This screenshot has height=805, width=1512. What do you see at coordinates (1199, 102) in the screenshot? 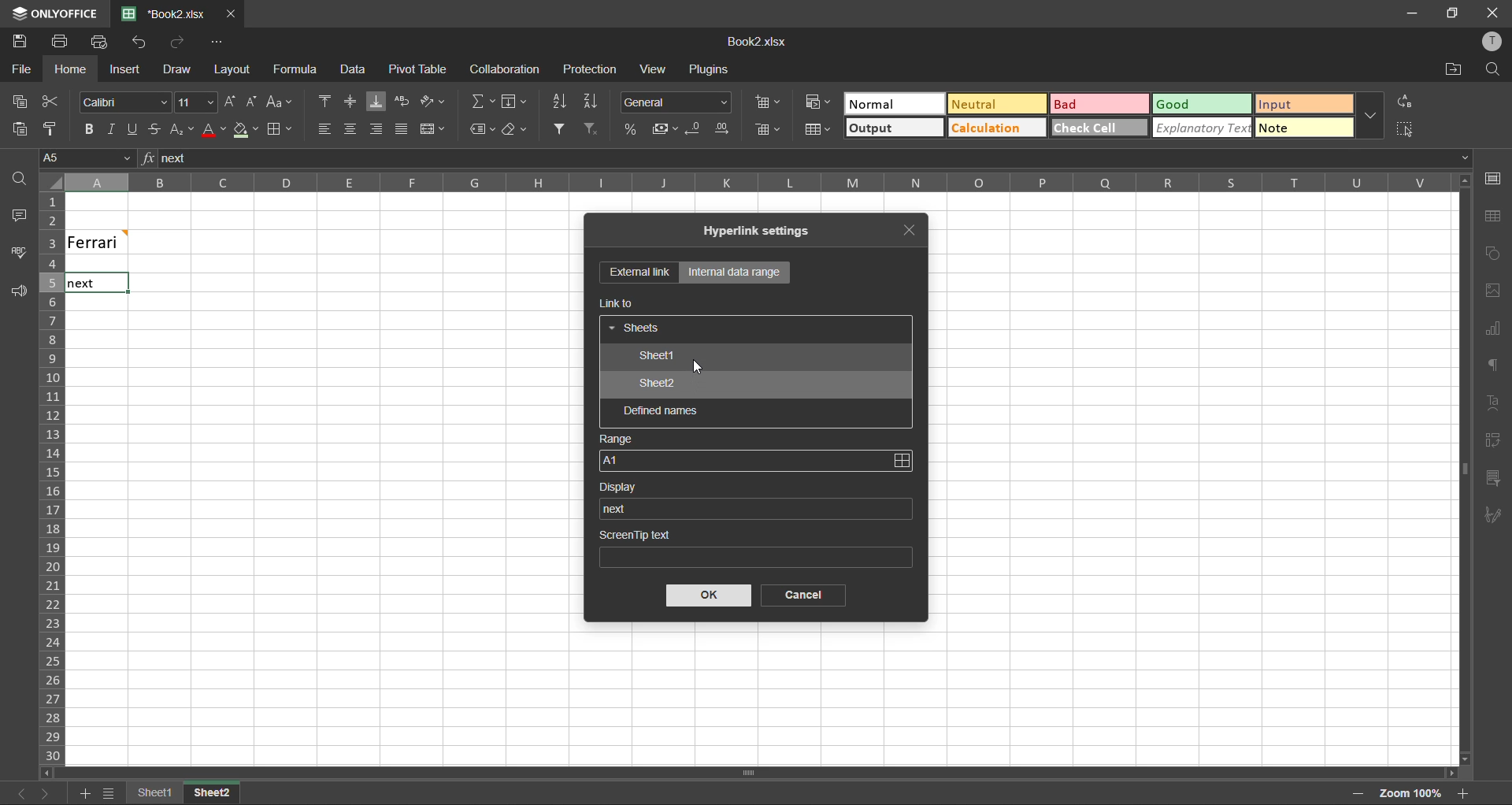
I see `good` at bounding box center [1199, 102].